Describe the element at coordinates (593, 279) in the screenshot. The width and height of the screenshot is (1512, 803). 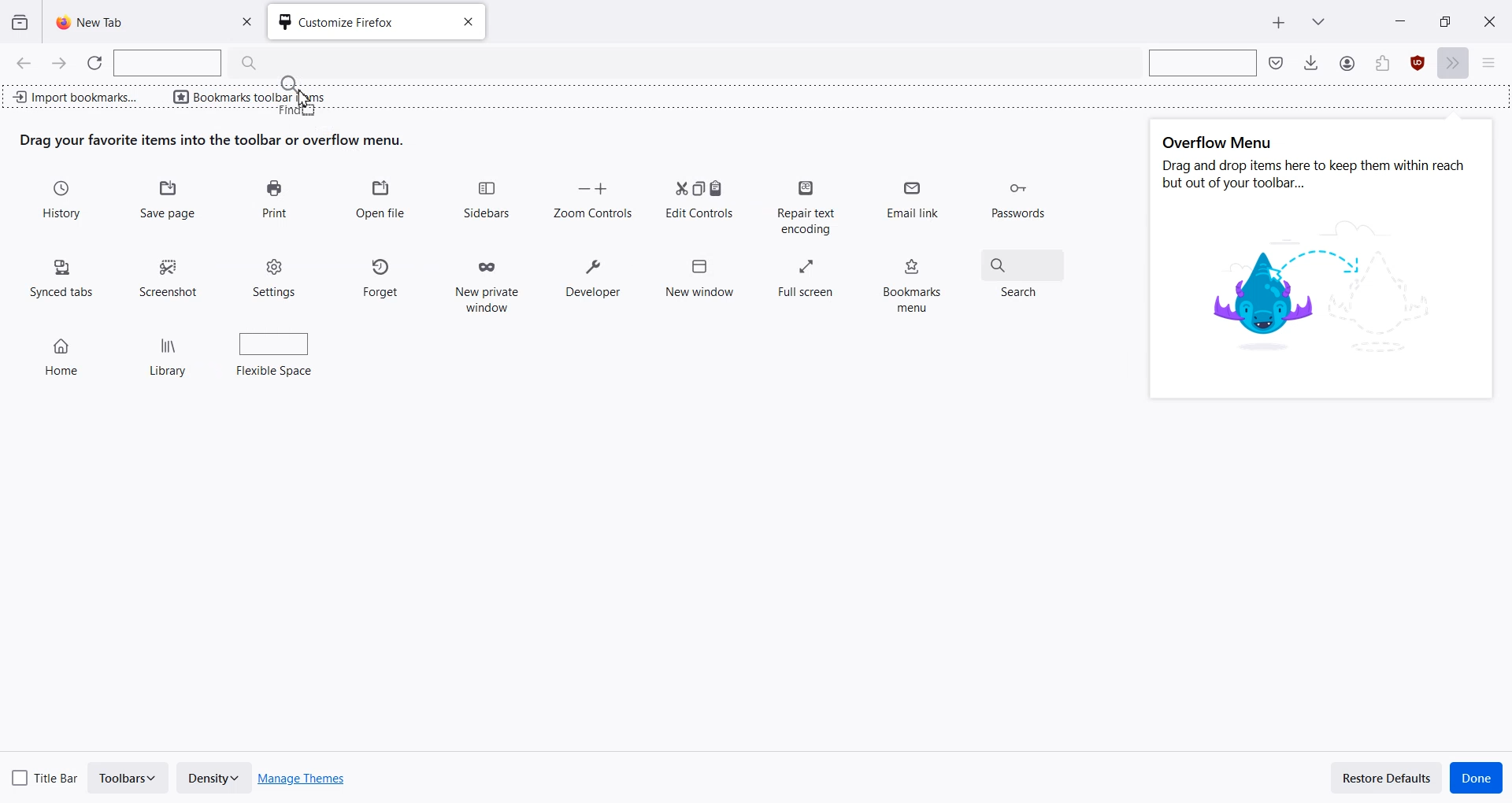
I see `Developer` at that location.